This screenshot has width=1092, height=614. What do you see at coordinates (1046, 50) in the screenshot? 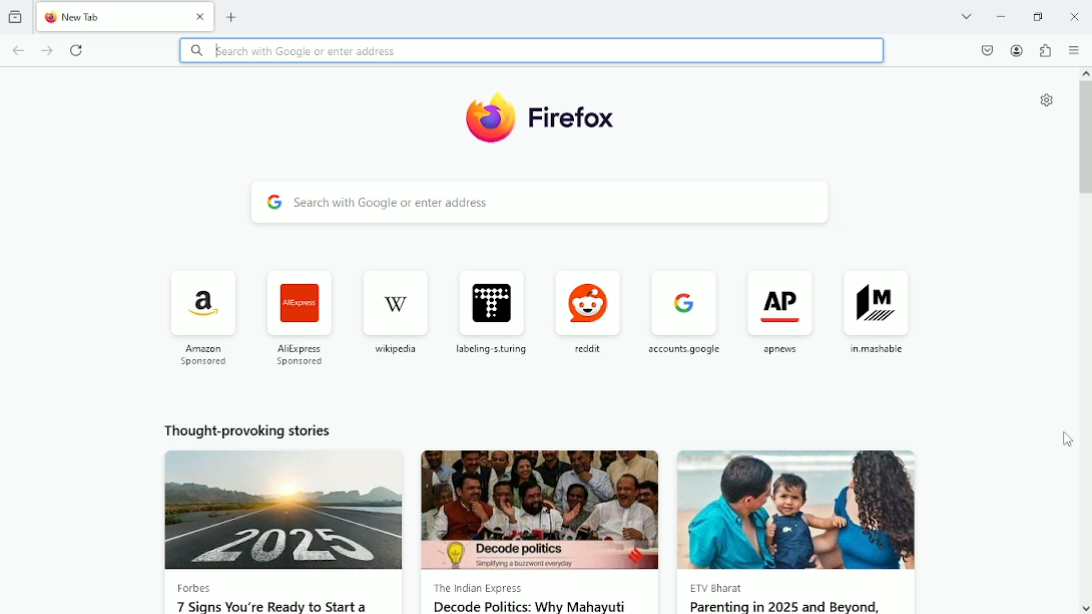
I see `Extensions` at bounding box center [1046, 50].